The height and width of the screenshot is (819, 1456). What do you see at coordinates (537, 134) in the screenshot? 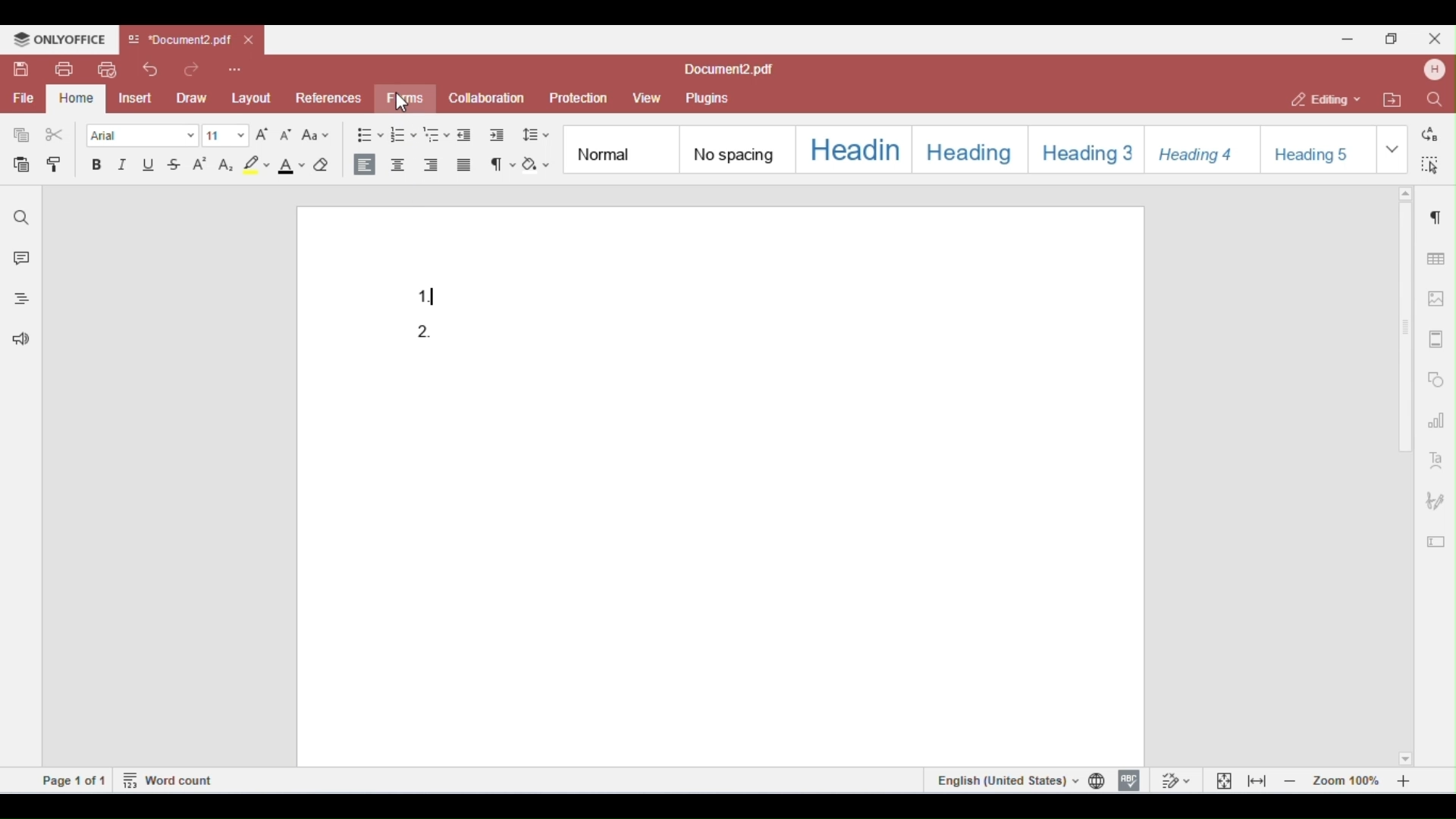
I see `paragraph line spacing` at bounding box center [537, 134].